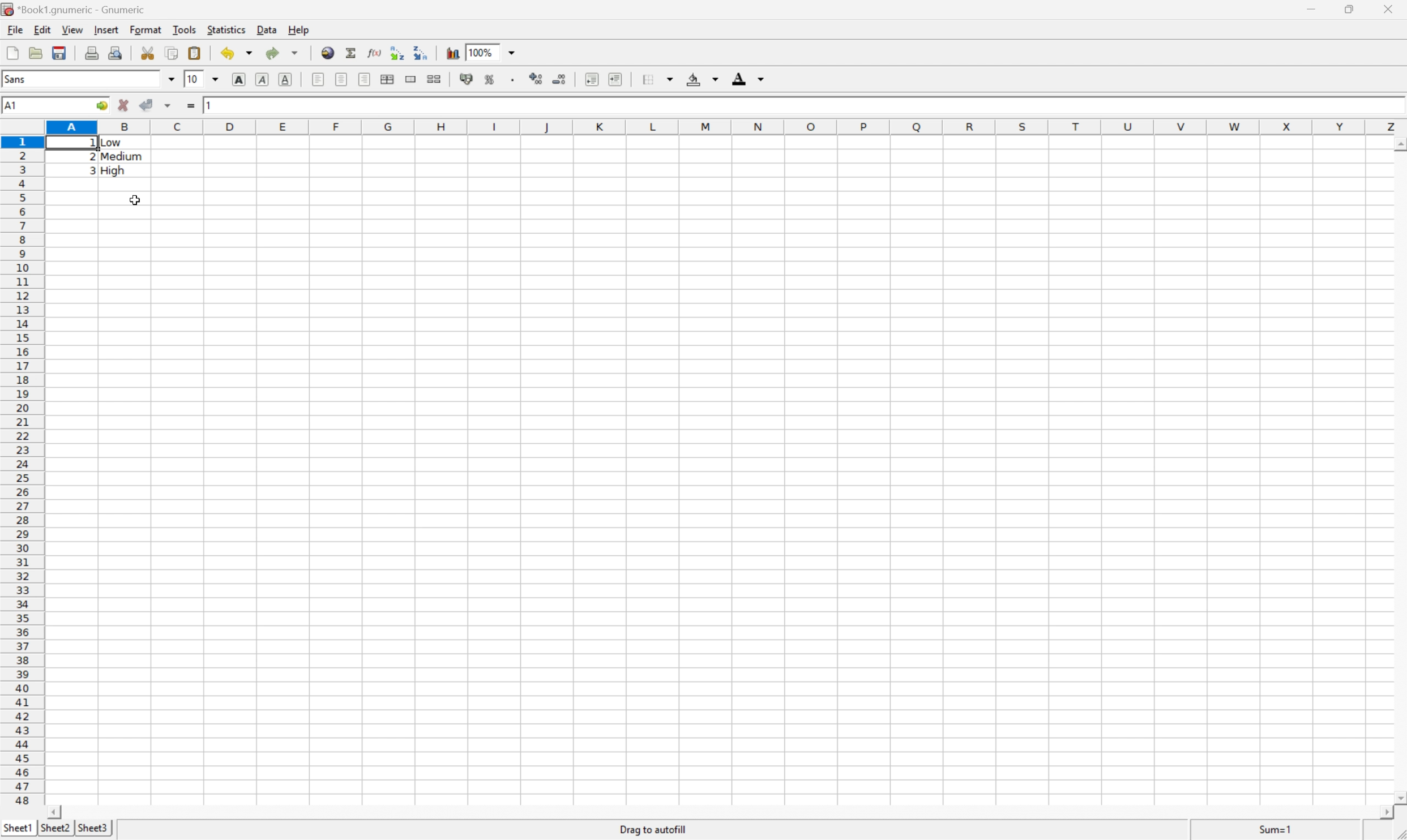 The image size is (1407, 840). Describe the element at coordinates (35, 53) in the screenshot. I see `Open a file` at that location.